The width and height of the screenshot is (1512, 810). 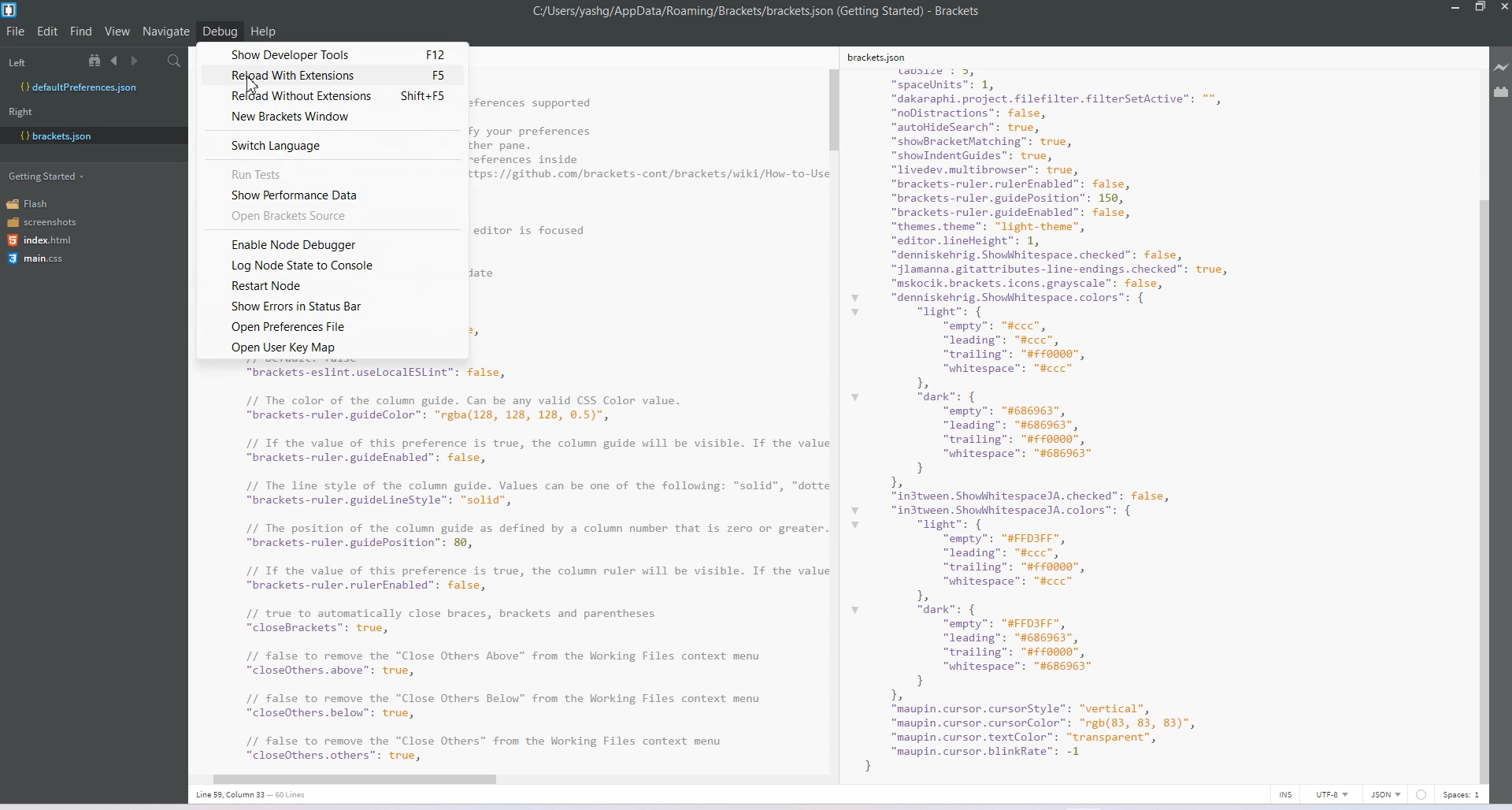 What do you see at coordinates (93, 87) in the screenshot?
I see `Defaultpreferences.json` at bounding box center [93, 87].